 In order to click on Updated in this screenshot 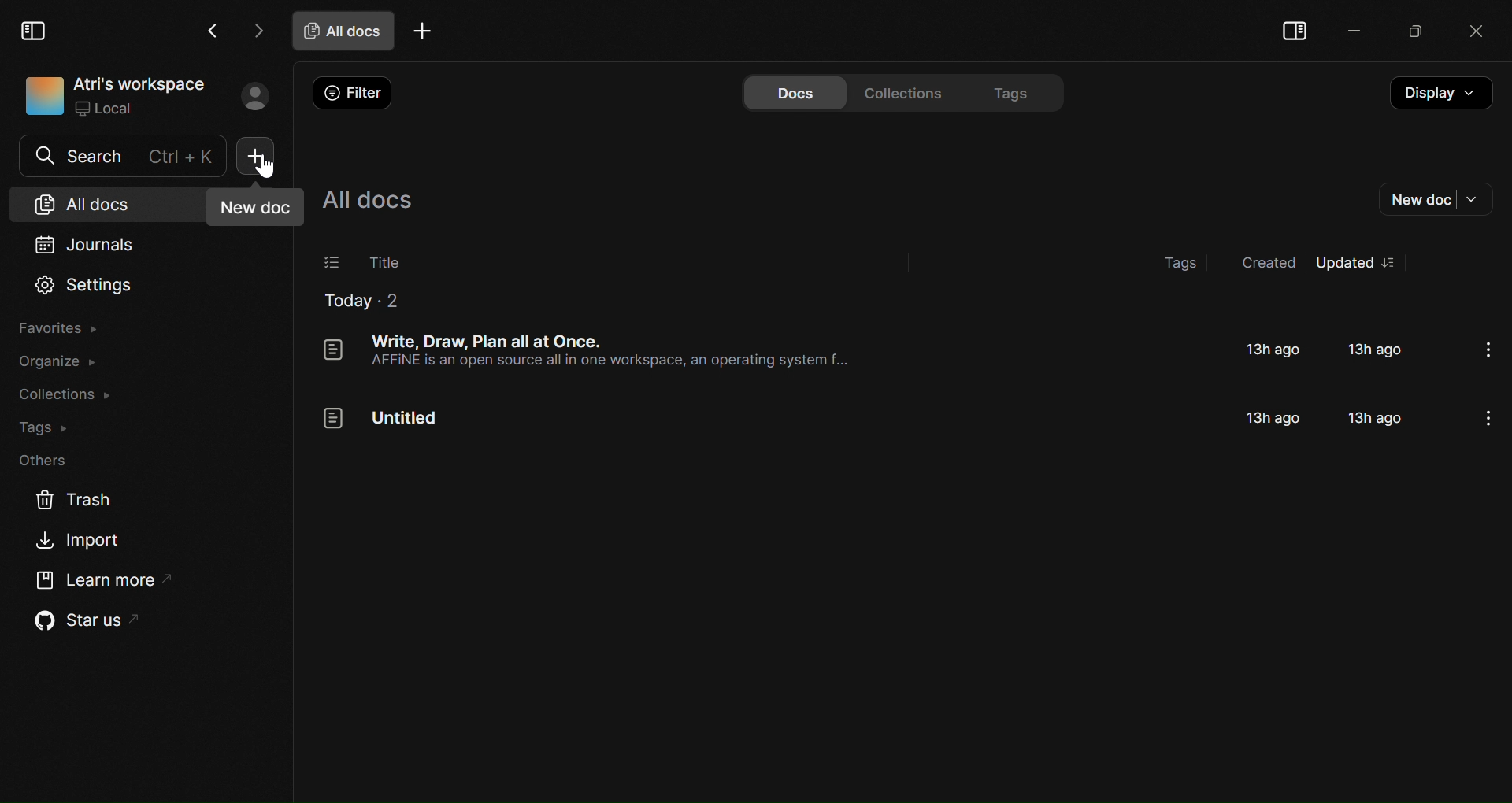, I will do `click(1344, 262)`.